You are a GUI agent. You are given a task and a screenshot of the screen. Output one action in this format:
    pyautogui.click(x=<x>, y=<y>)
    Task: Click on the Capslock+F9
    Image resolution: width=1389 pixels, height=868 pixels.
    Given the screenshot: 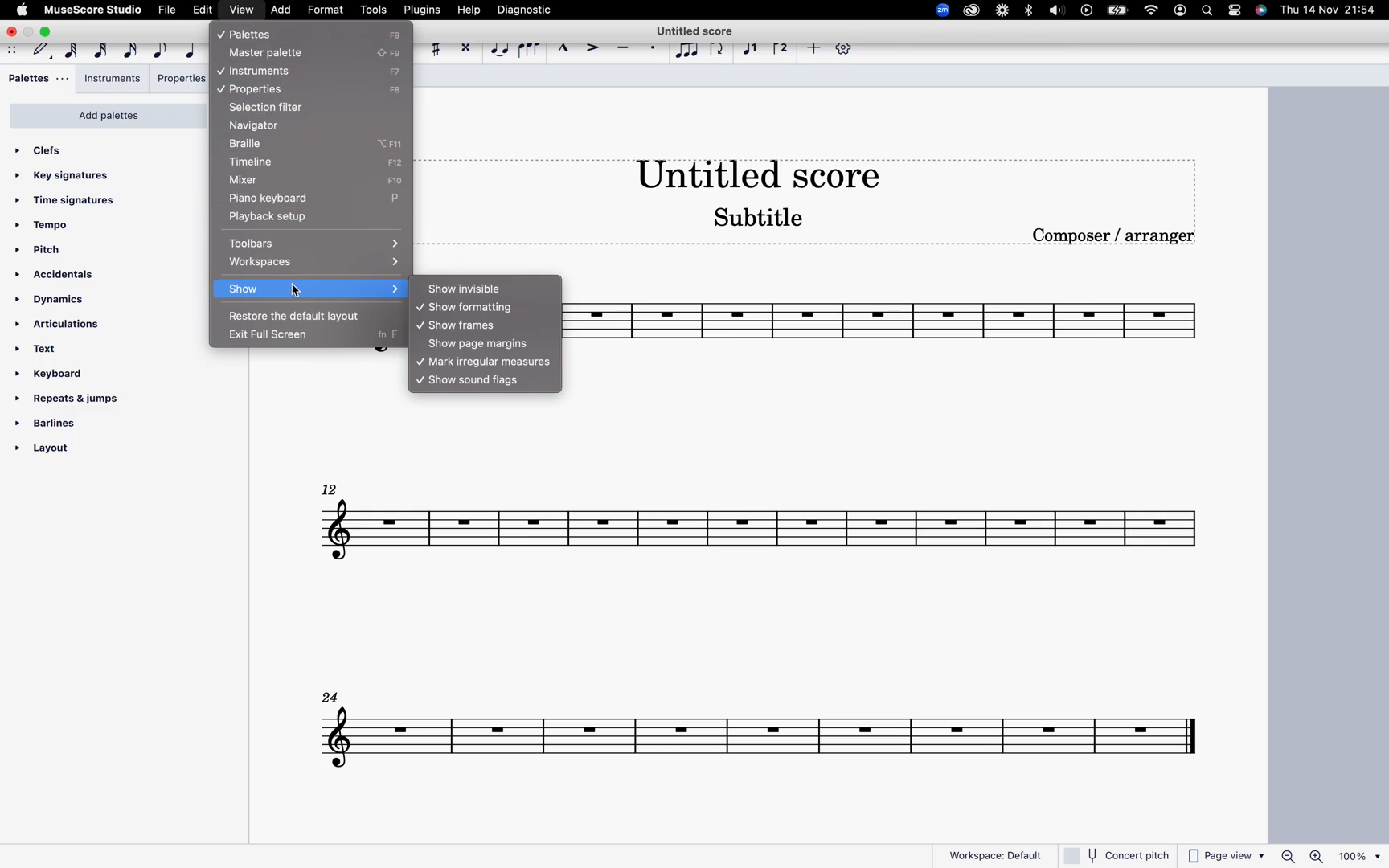 What is the action you would take?
    pyautogui.click(x=395, y=71)
    